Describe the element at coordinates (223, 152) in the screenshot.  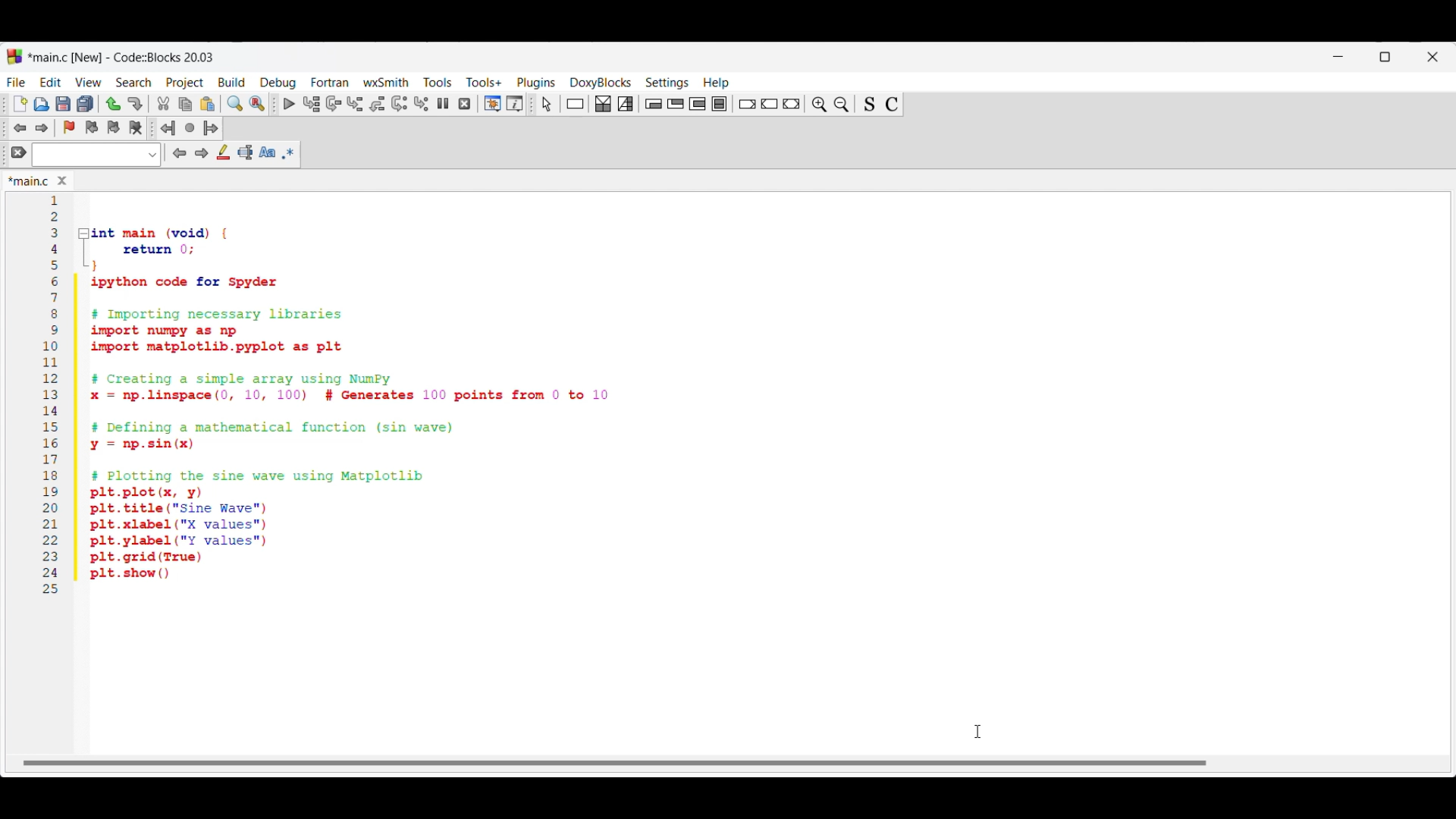
I see `Highlight` at that location.